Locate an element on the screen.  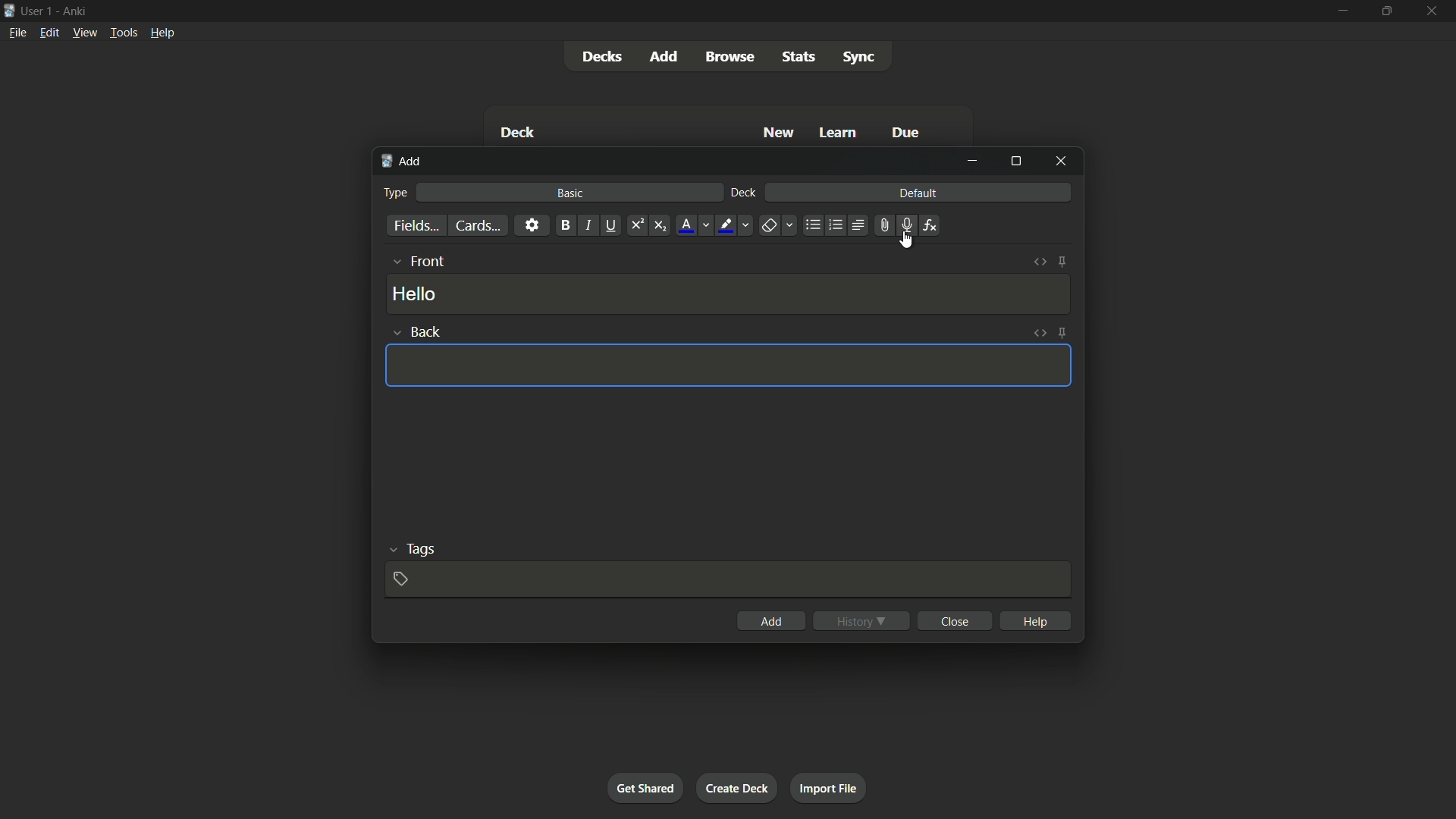
stats is located at coordinates (798, 56).